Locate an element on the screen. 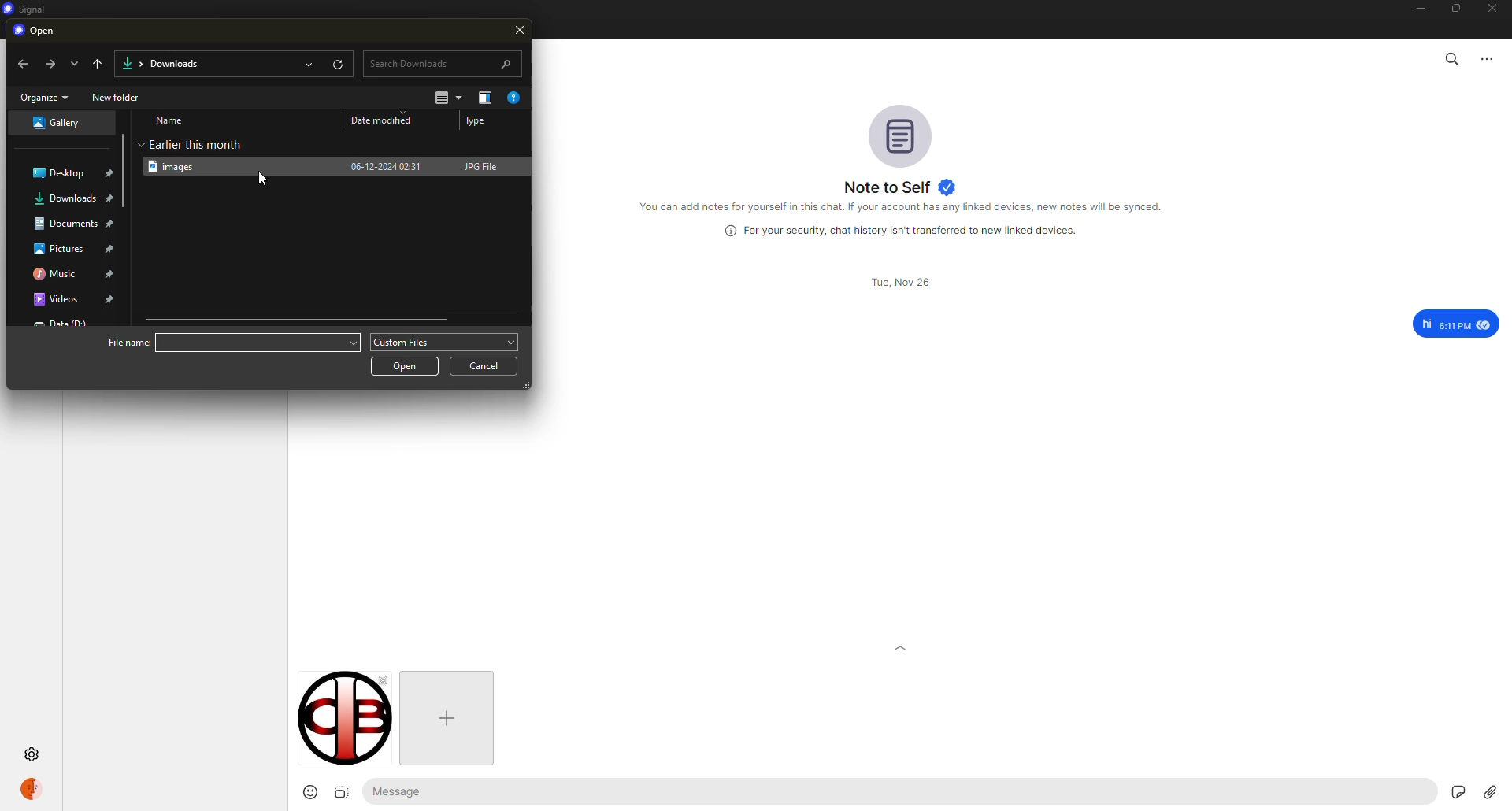  settings is located at coordinates (33, 755).